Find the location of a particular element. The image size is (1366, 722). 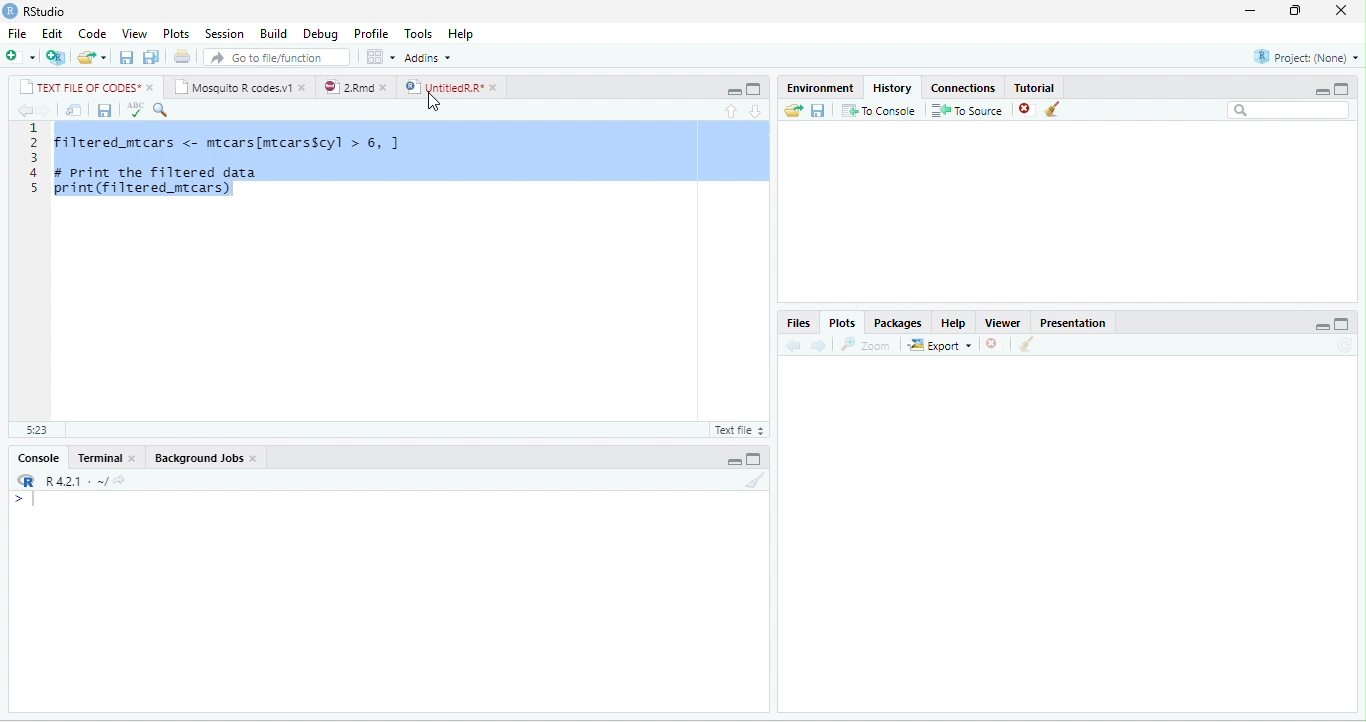

TEXT FILE OF CODES is located at coordinates (80, 86).